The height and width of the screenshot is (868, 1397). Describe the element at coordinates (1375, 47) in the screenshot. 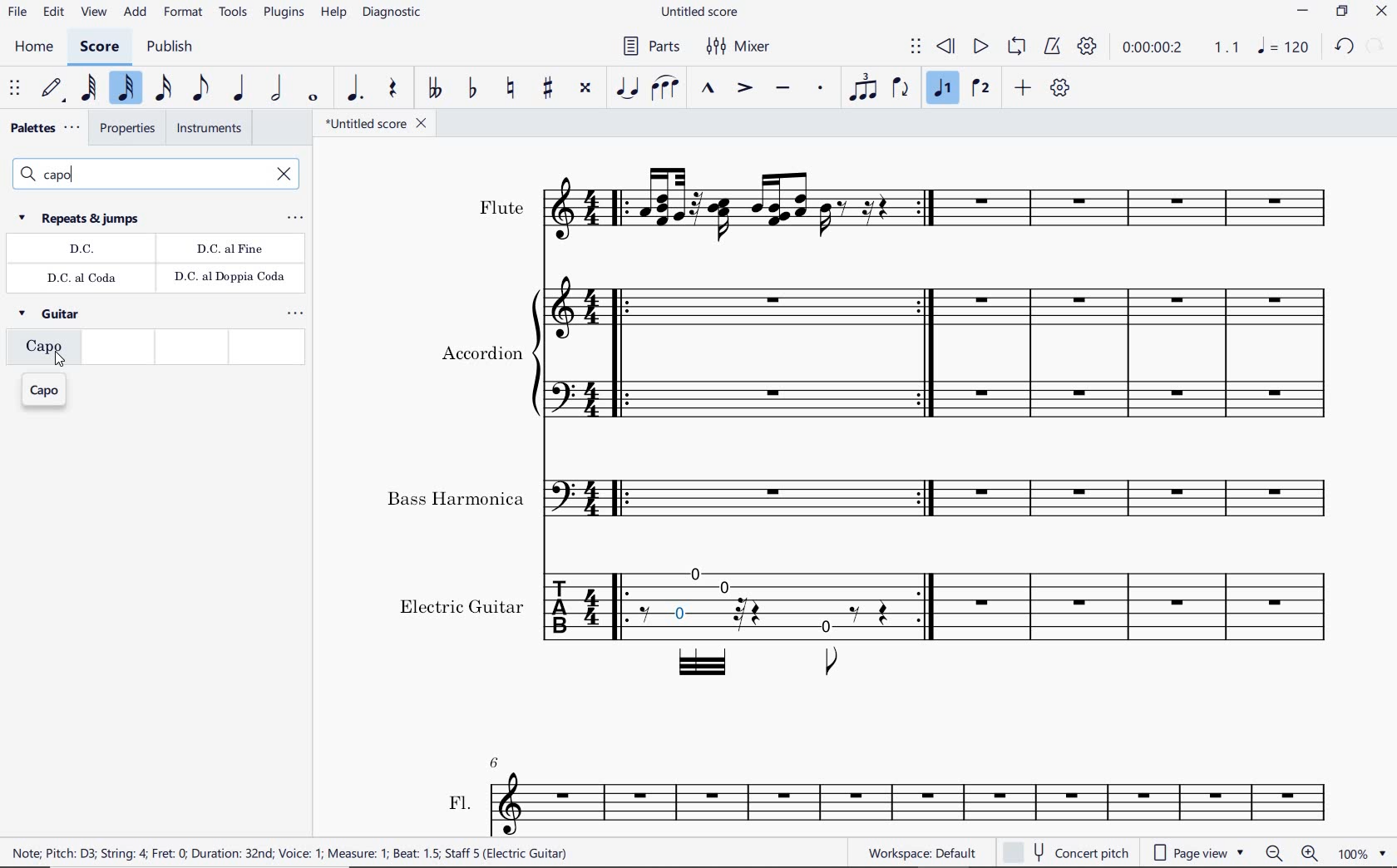

I see `restore down` at that location.